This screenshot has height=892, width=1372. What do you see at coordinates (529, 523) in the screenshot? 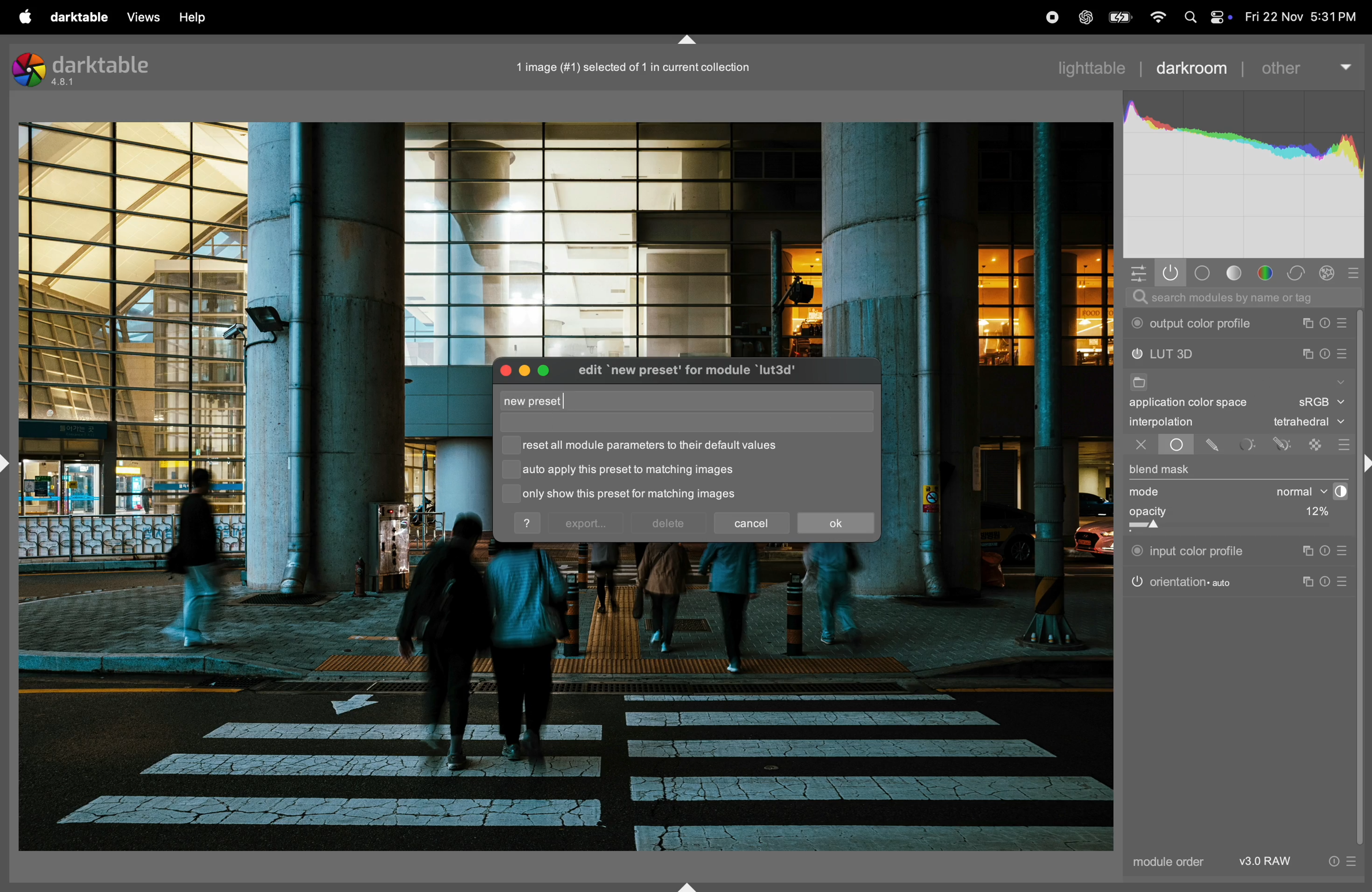
I see `help` at bounding box center [529, 523].